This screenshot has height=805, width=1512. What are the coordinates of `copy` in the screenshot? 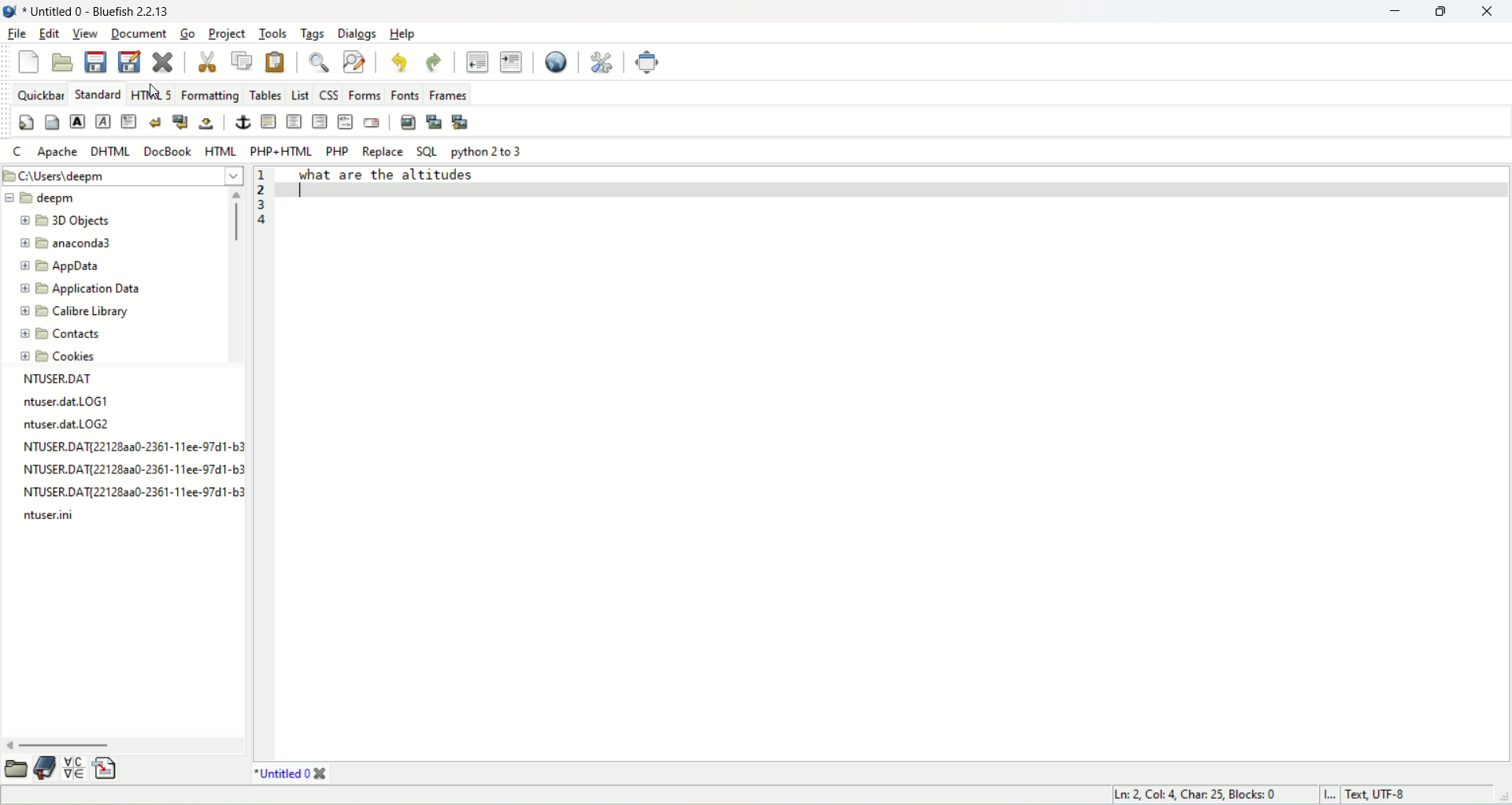 It's located at (243, 60).